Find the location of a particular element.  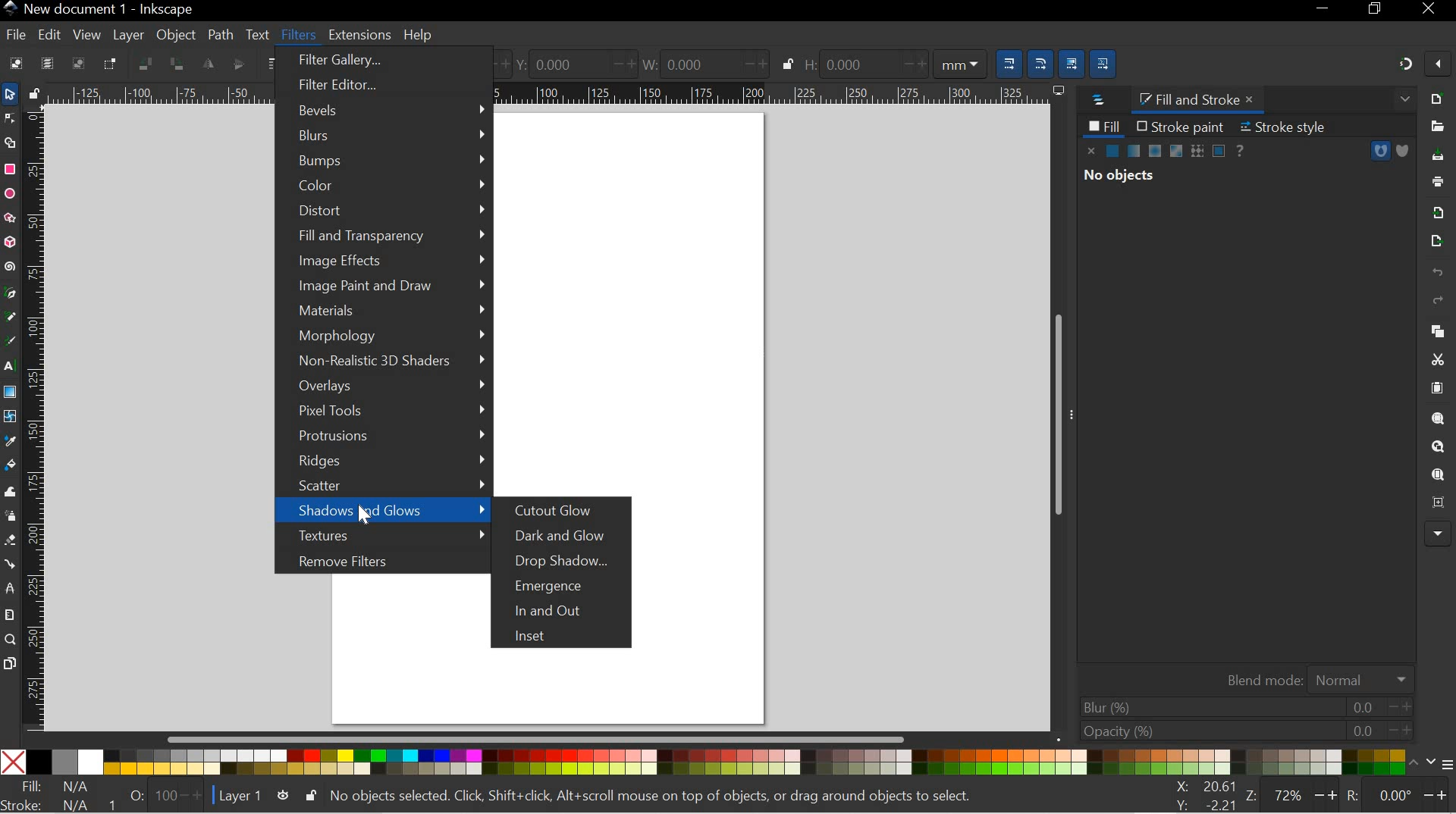

EXTENSIONS is located at coordinates (358, 35).